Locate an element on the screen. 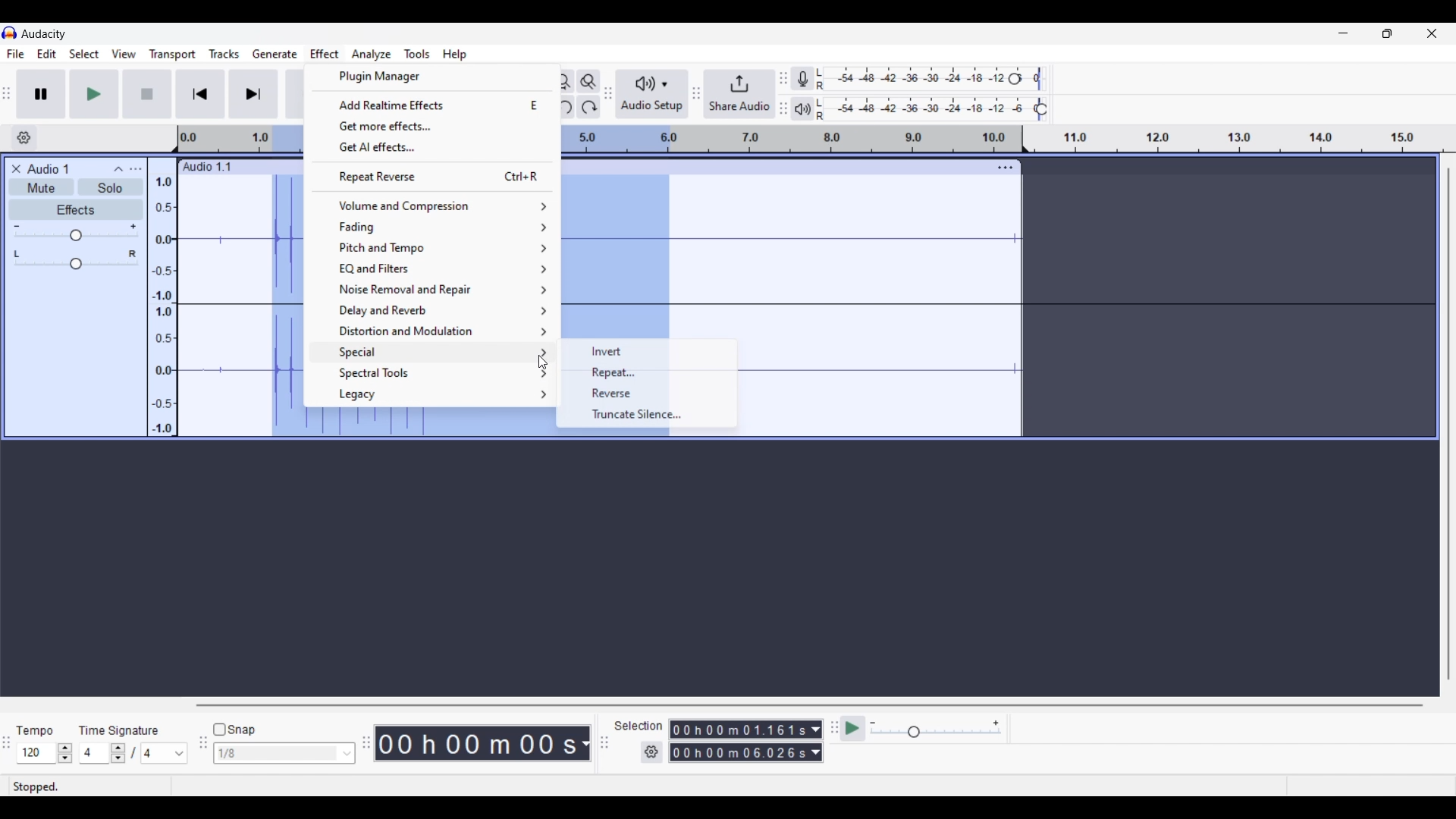 The width and height of the screenshot is (1456, 819). Repeat is located at coordinates (648, 372).